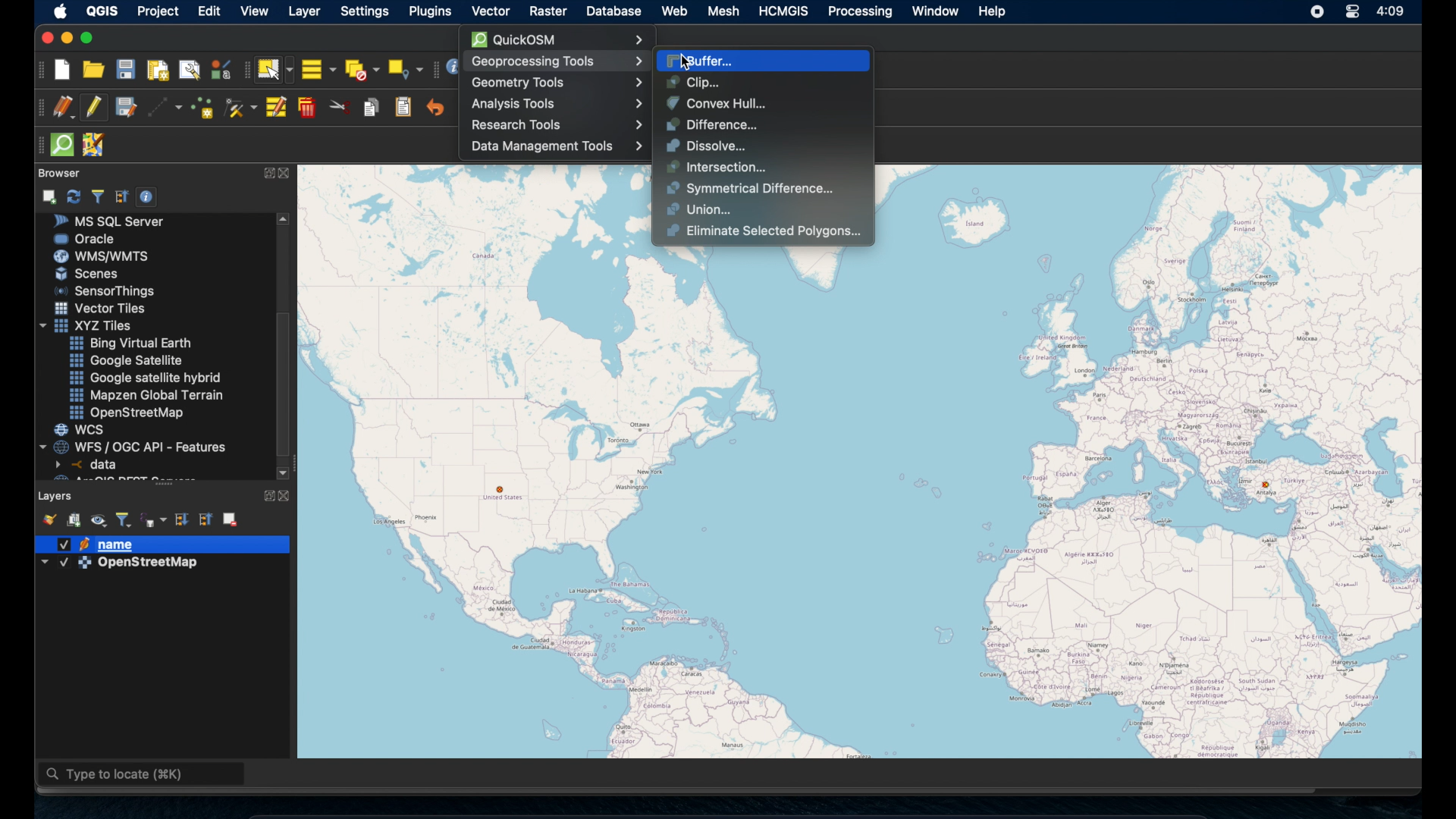  What do you see at coordinates (231, 519) in the screenshot?
I see `remove layer/group` at bounding box center [231, 519].